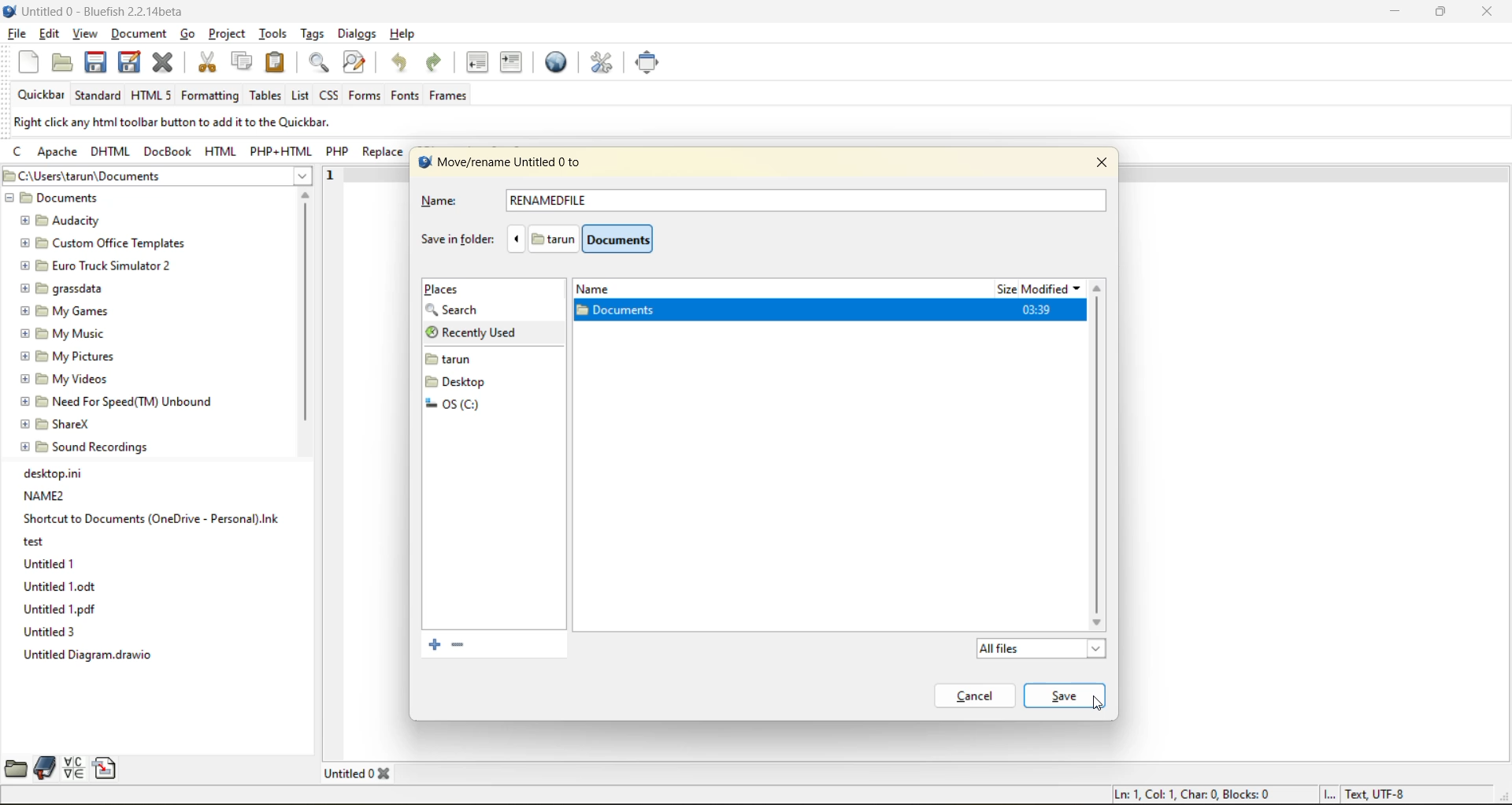 This screenshot has height=805, width=1512. I want to click on cut, so click(209, 62).